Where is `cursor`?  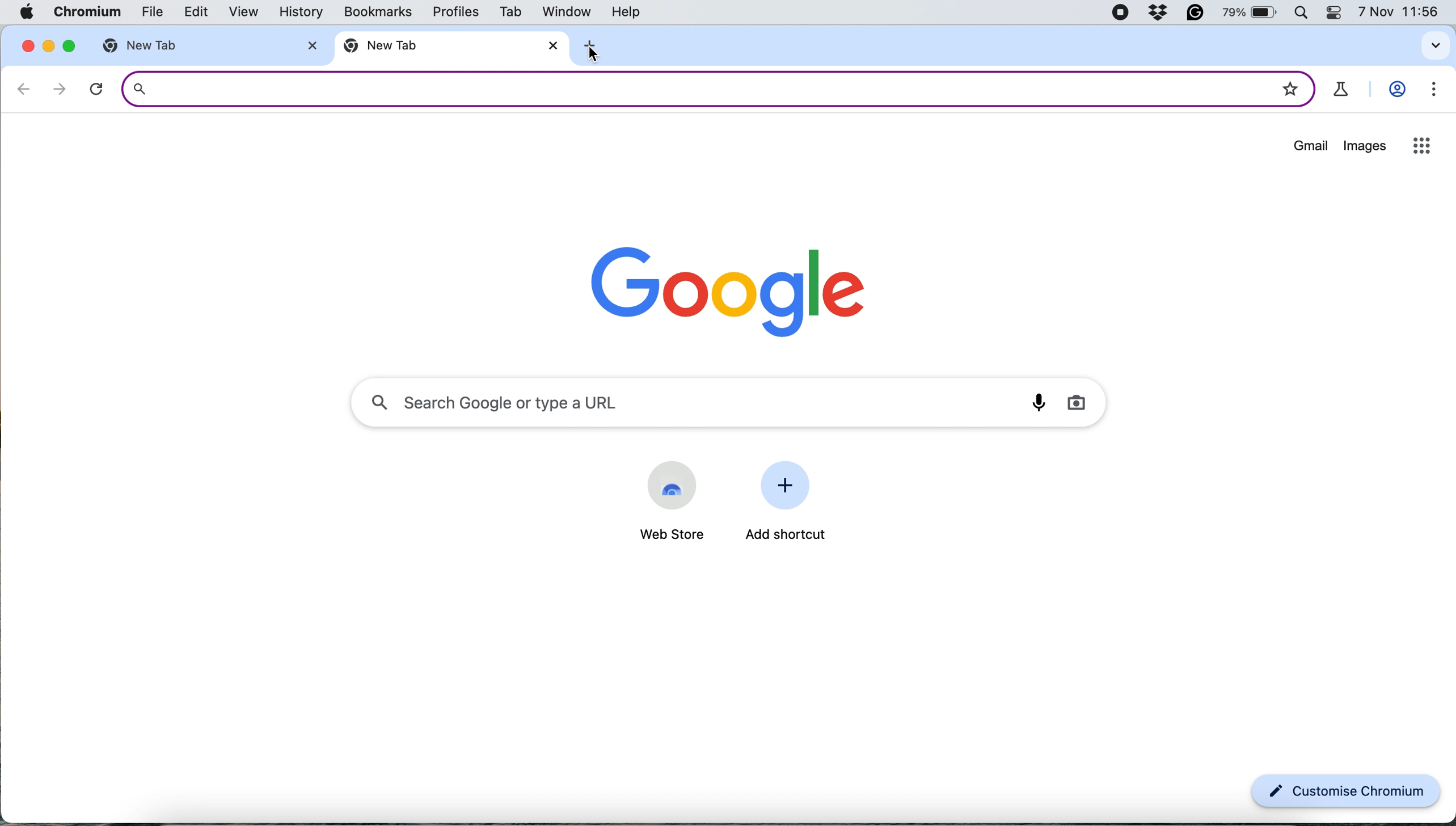 cursor is located at coordinates (597, 56).